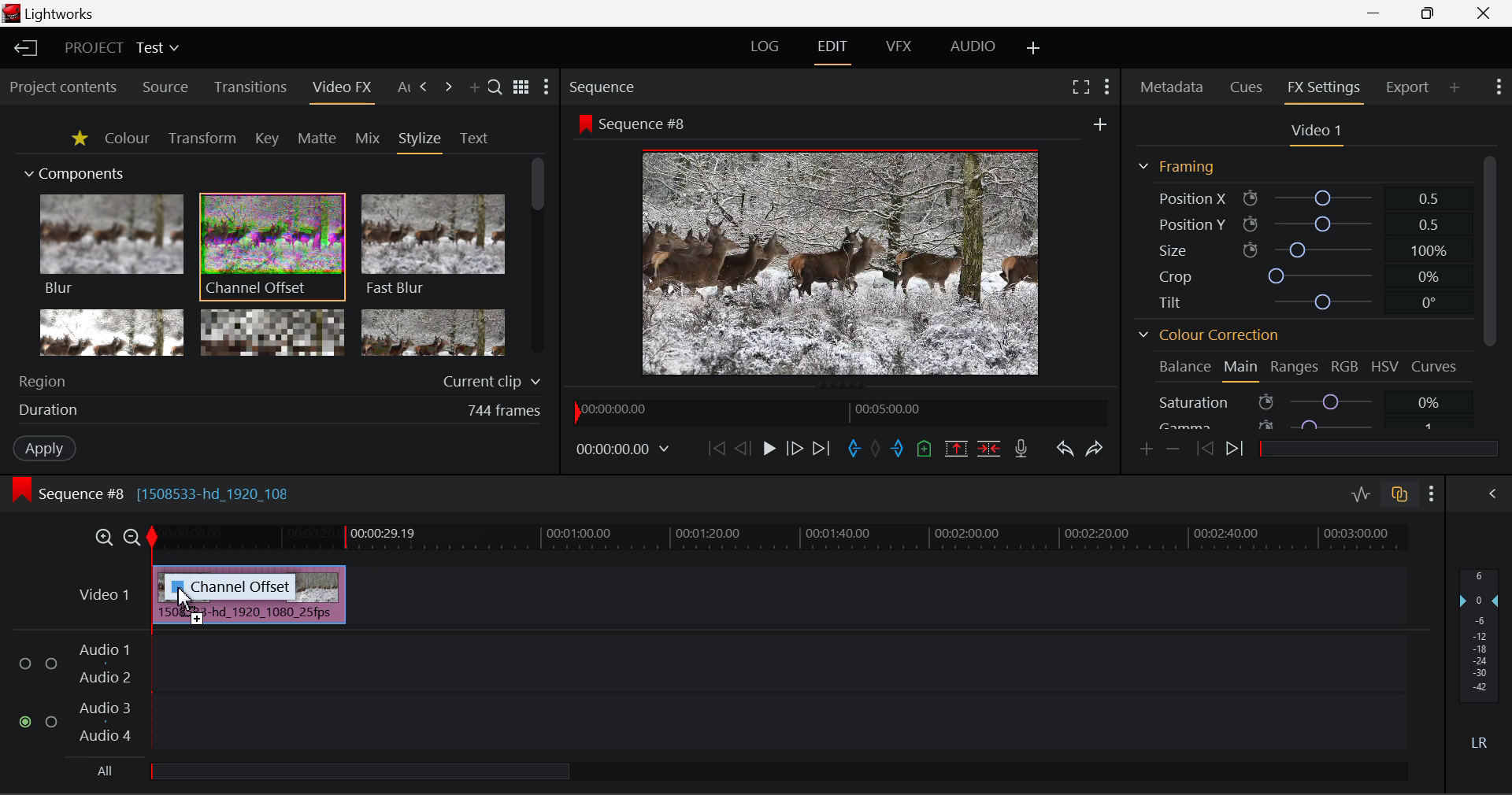 The width and height of the screenshot is (1512, 795). I want to click on Window Title, so click(60, 14).